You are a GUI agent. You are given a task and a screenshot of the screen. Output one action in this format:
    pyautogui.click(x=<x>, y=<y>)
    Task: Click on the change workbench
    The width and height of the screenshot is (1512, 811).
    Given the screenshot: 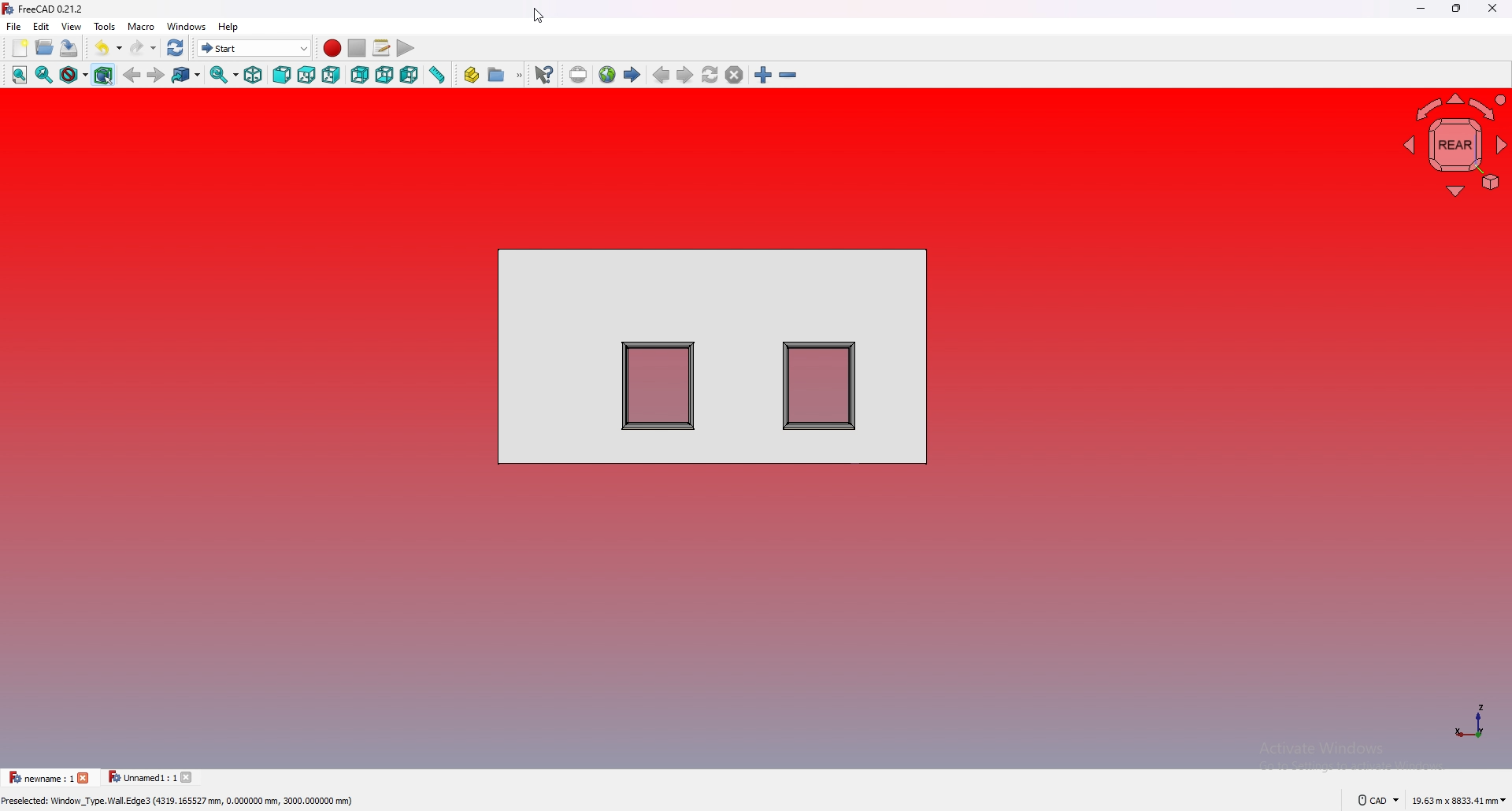 What is the action you would take?
    pyautogui.click(x=255, y=47)
    